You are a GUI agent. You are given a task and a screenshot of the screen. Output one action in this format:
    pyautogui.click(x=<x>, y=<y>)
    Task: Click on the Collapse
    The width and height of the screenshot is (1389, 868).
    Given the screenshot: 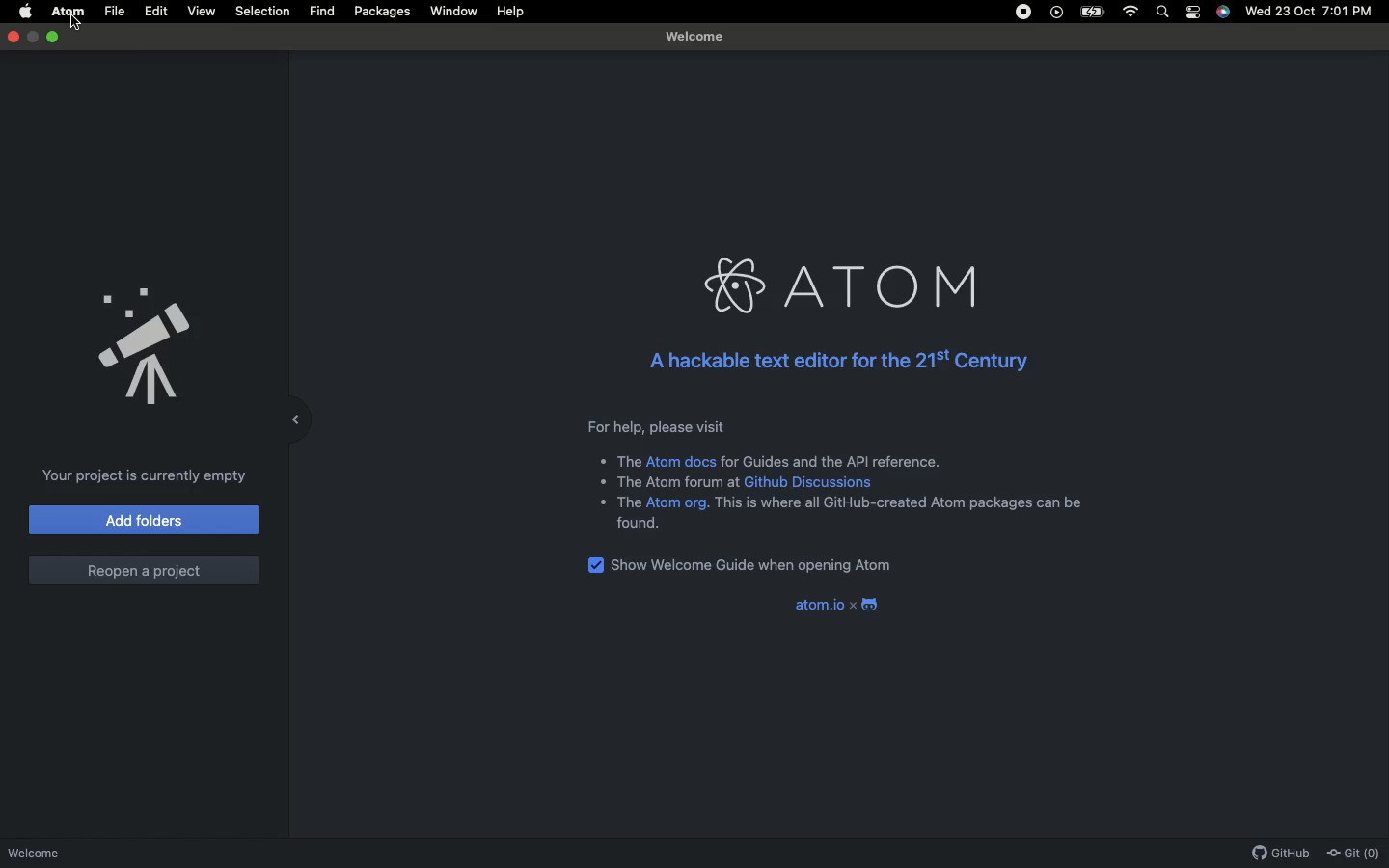 What is the action you would take?
    pyautogui.click(x=297, y=418)
    